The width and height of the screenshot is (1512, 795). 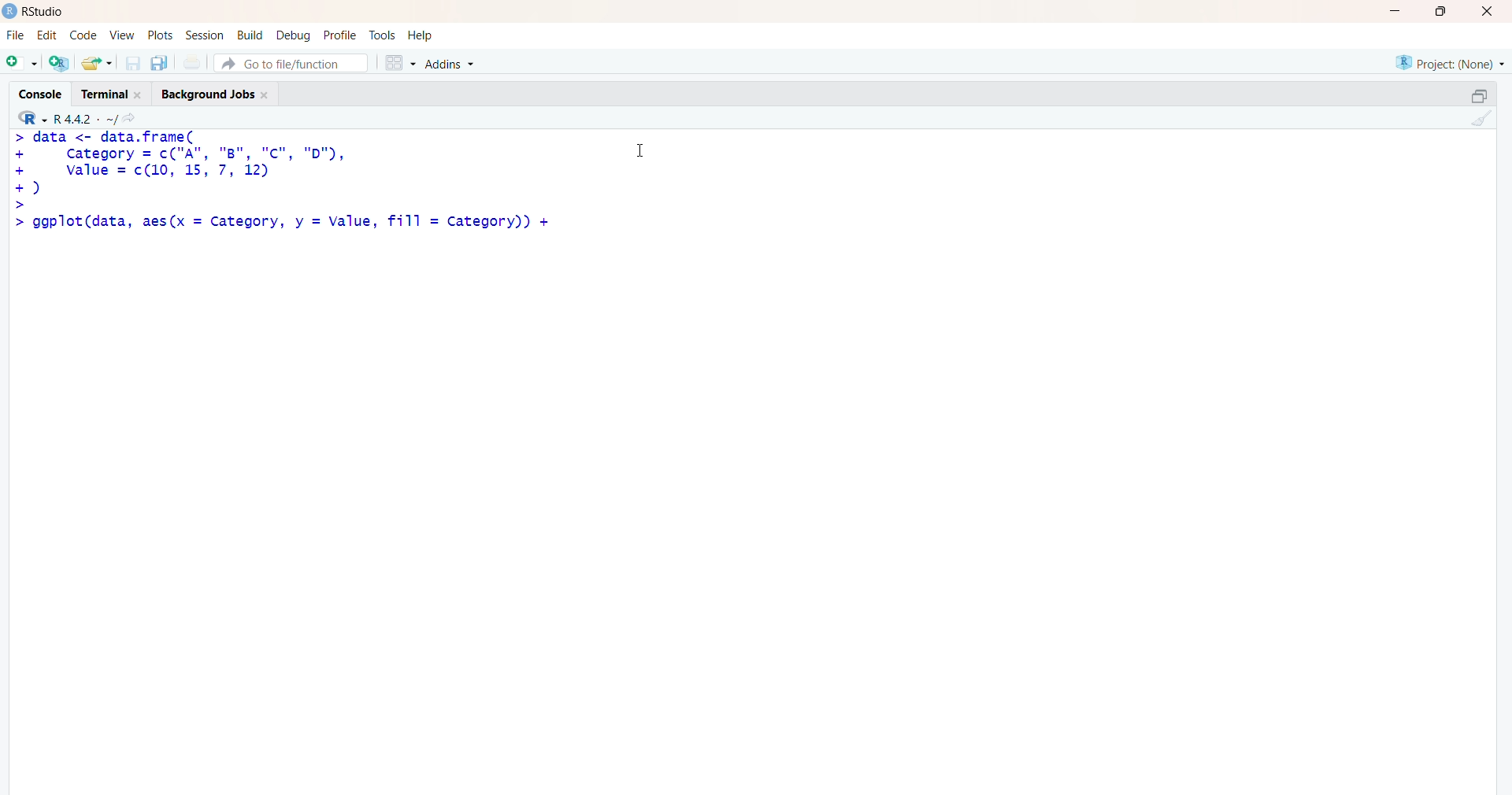 What do you see at coordinates (205, 35) in the screenshot?
I see `Session` at bounding box center [205, 35].